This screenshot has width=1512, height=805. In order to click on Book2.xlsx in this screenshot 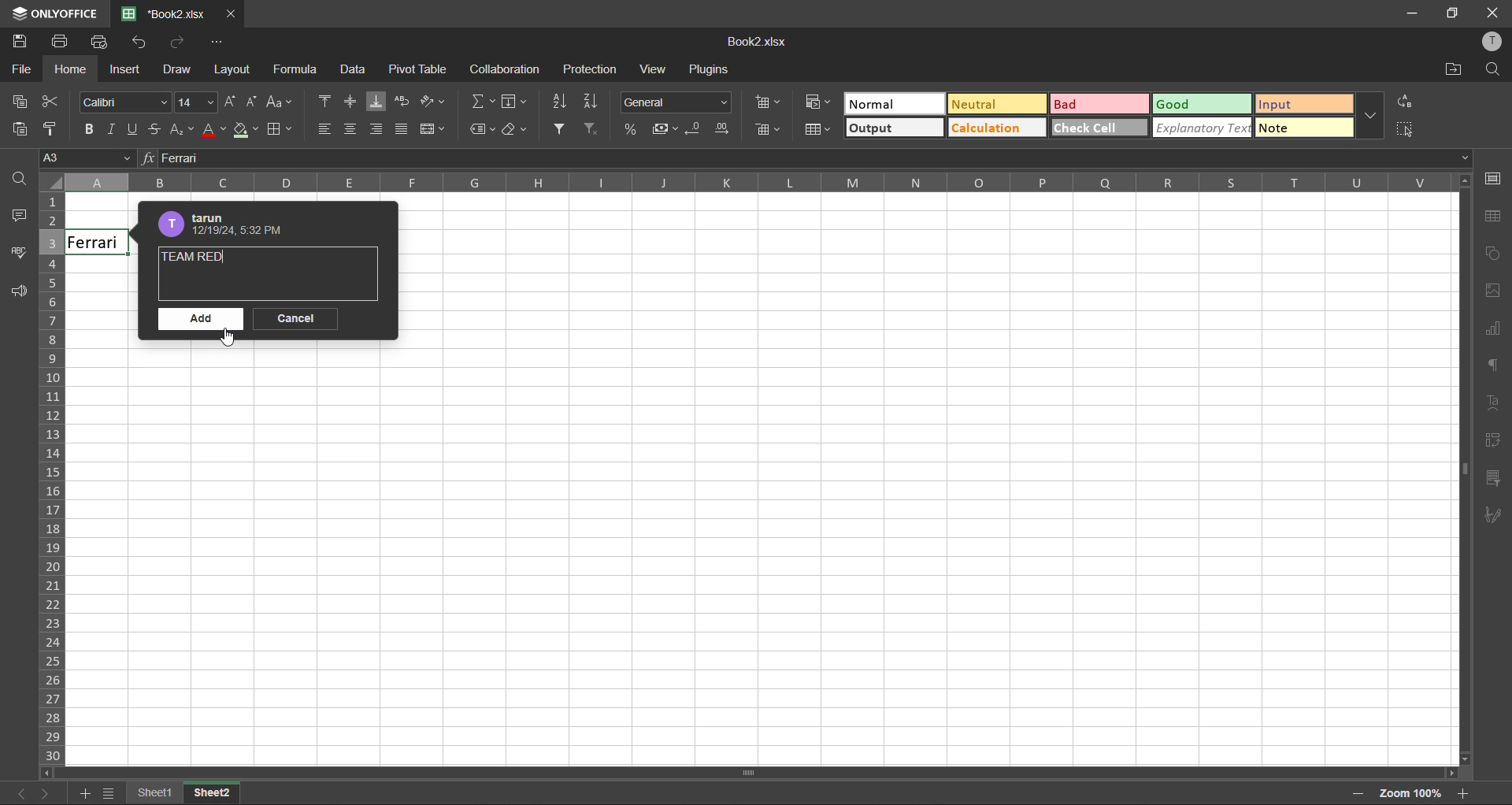, I will do `click(165, 12)`.